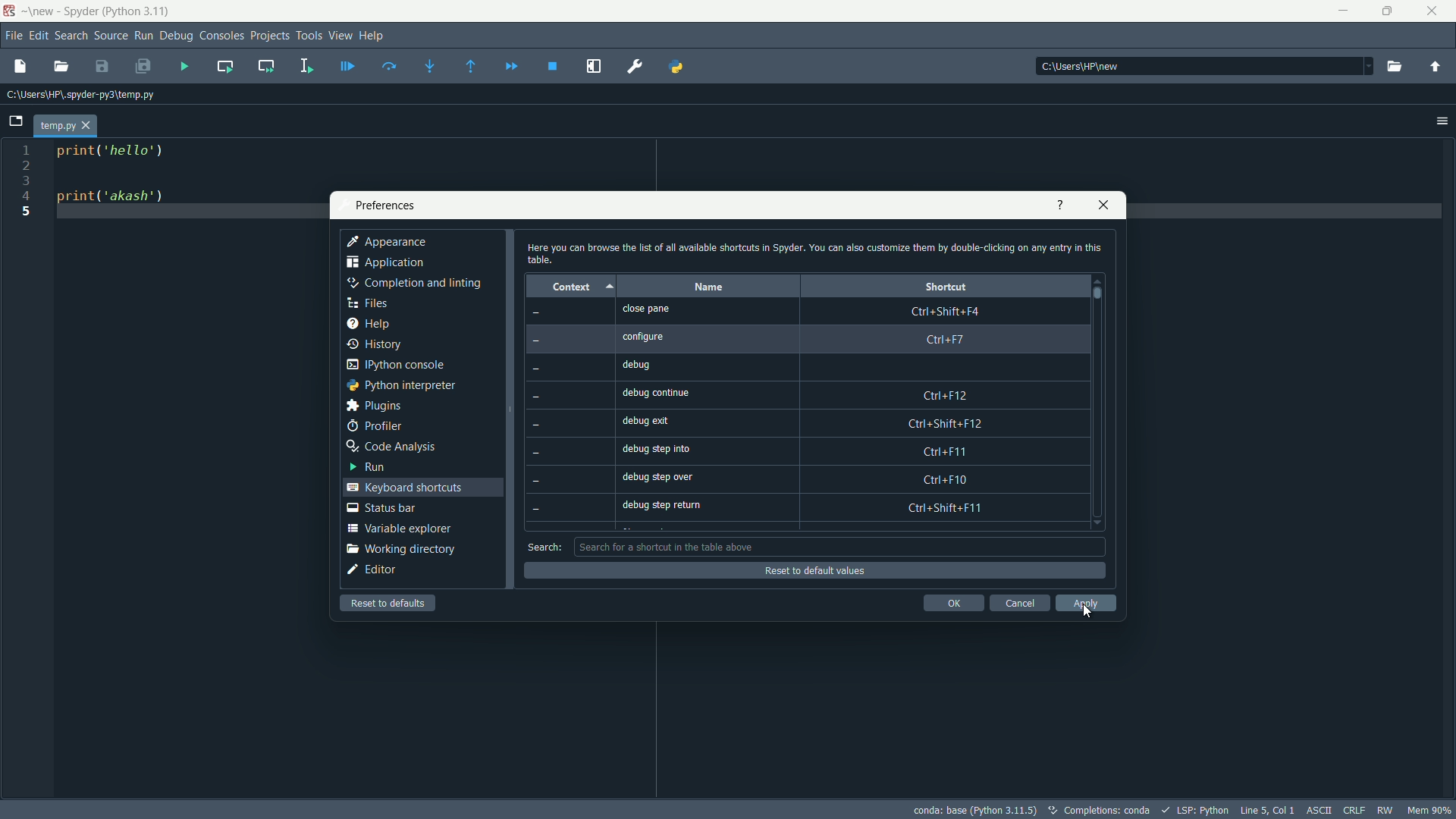 Image resolution: width=1456 pixels, height=819 pixels. Describe the element at coordinates (10, 10) in the screenshot. I see `app icon` at that location.